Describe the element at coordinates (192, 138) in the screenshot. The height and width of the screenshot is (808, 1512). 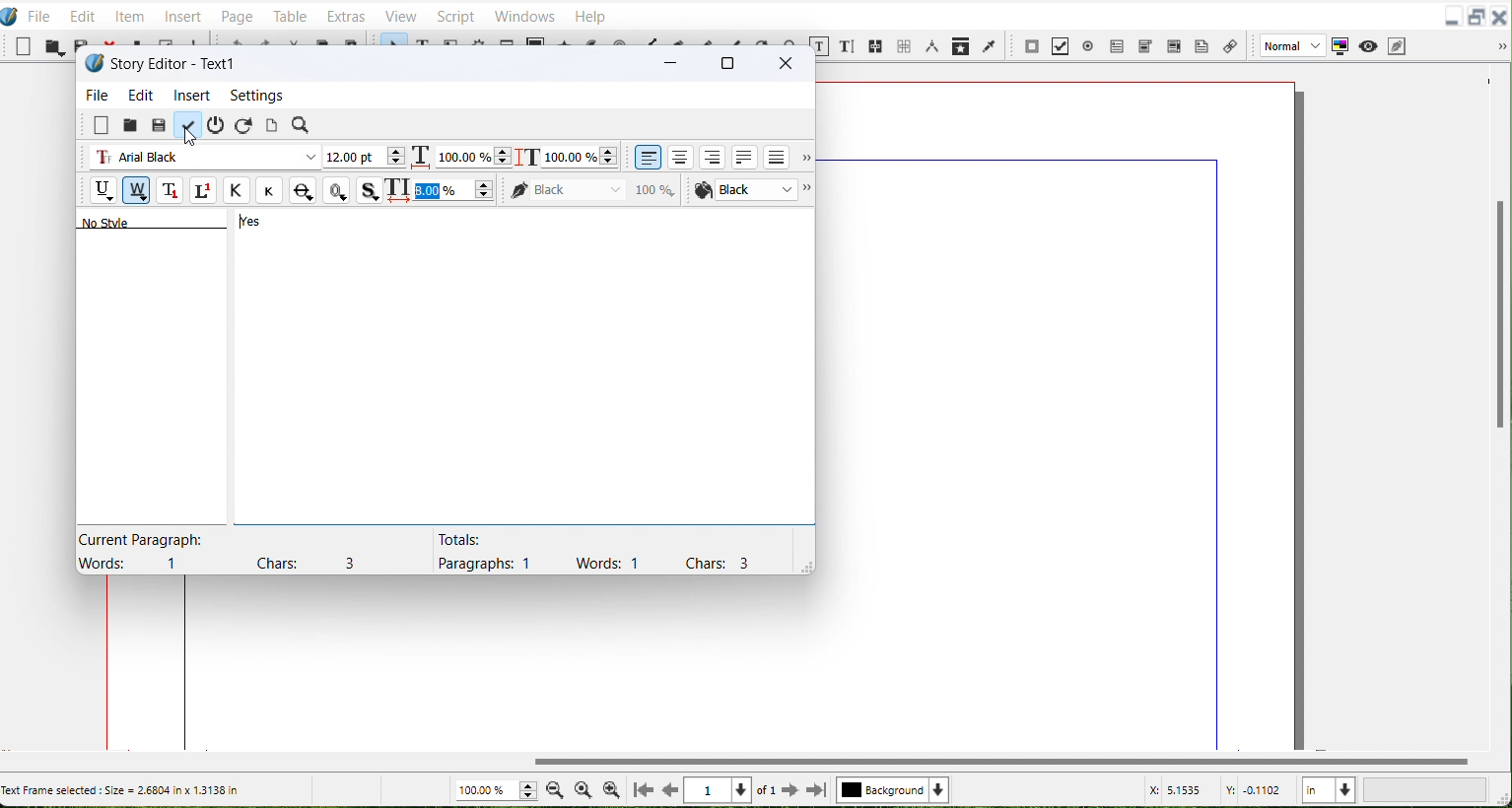
I see `Cursor` at that location.